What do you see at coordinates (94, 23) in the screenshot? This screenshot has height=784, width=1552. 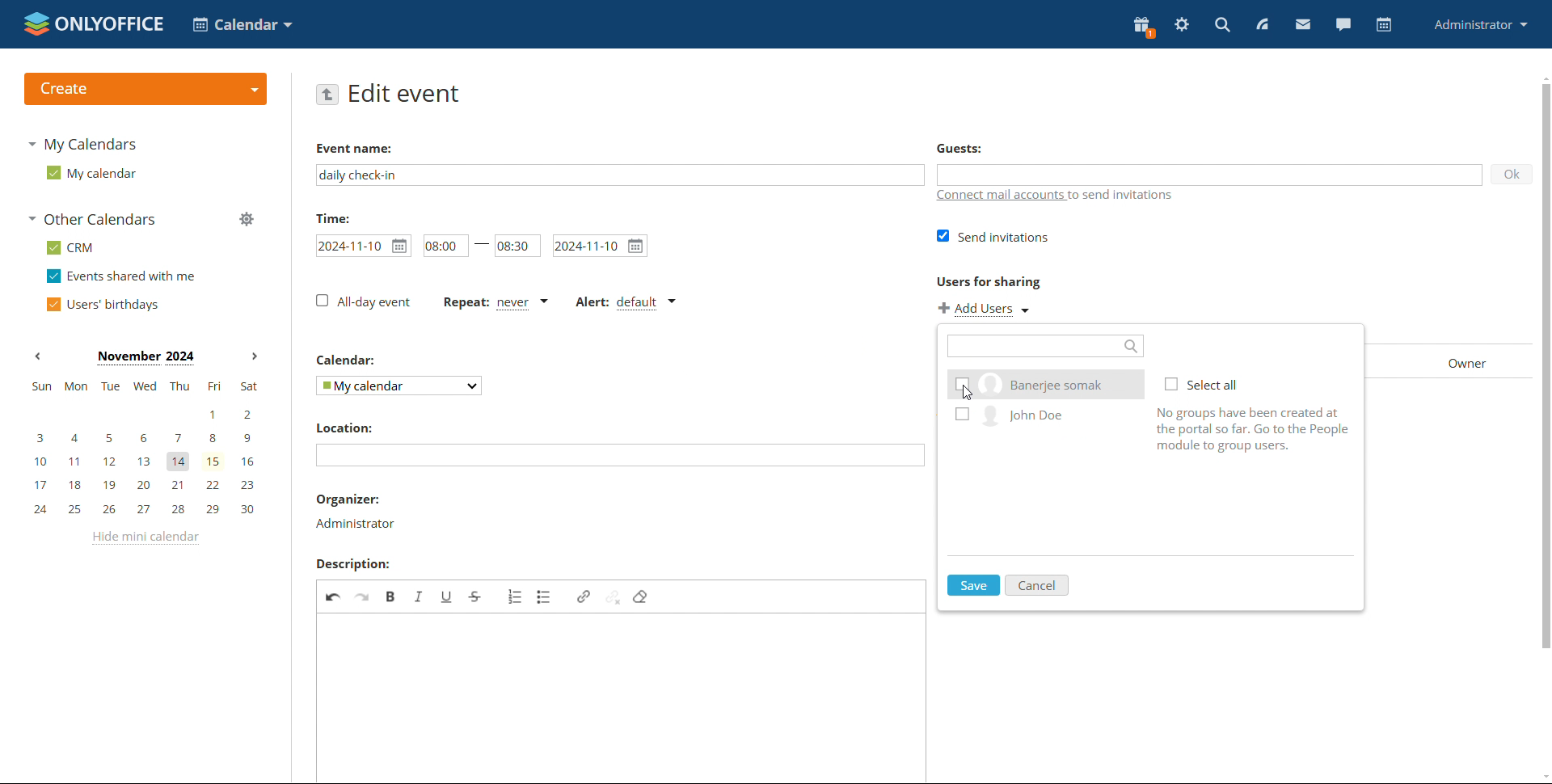 I see `logo` at bounding box center [94, 23].